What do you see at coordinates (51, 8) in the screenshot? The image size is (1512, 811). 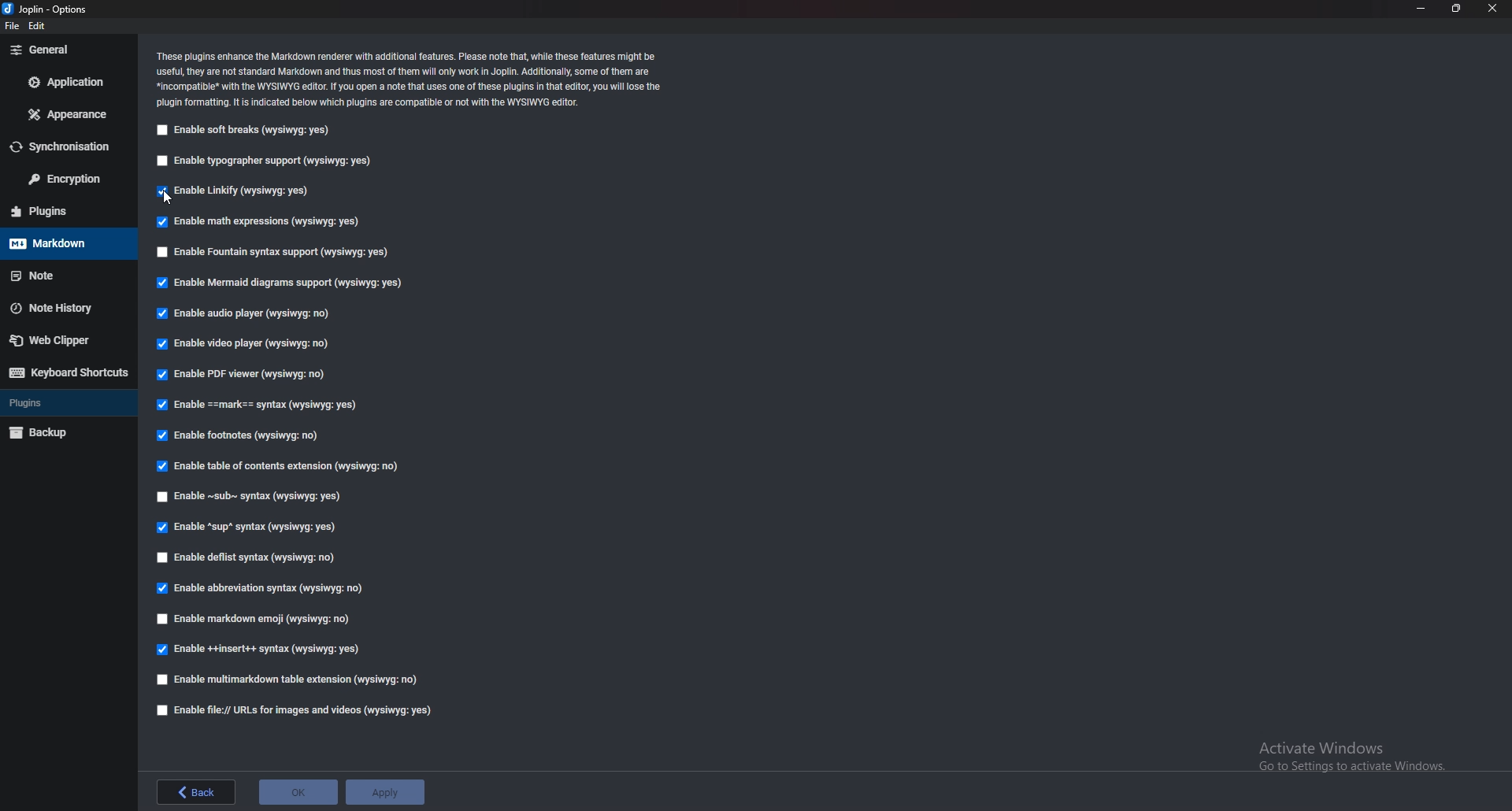 I see `options` at bounding box center [51, 8].